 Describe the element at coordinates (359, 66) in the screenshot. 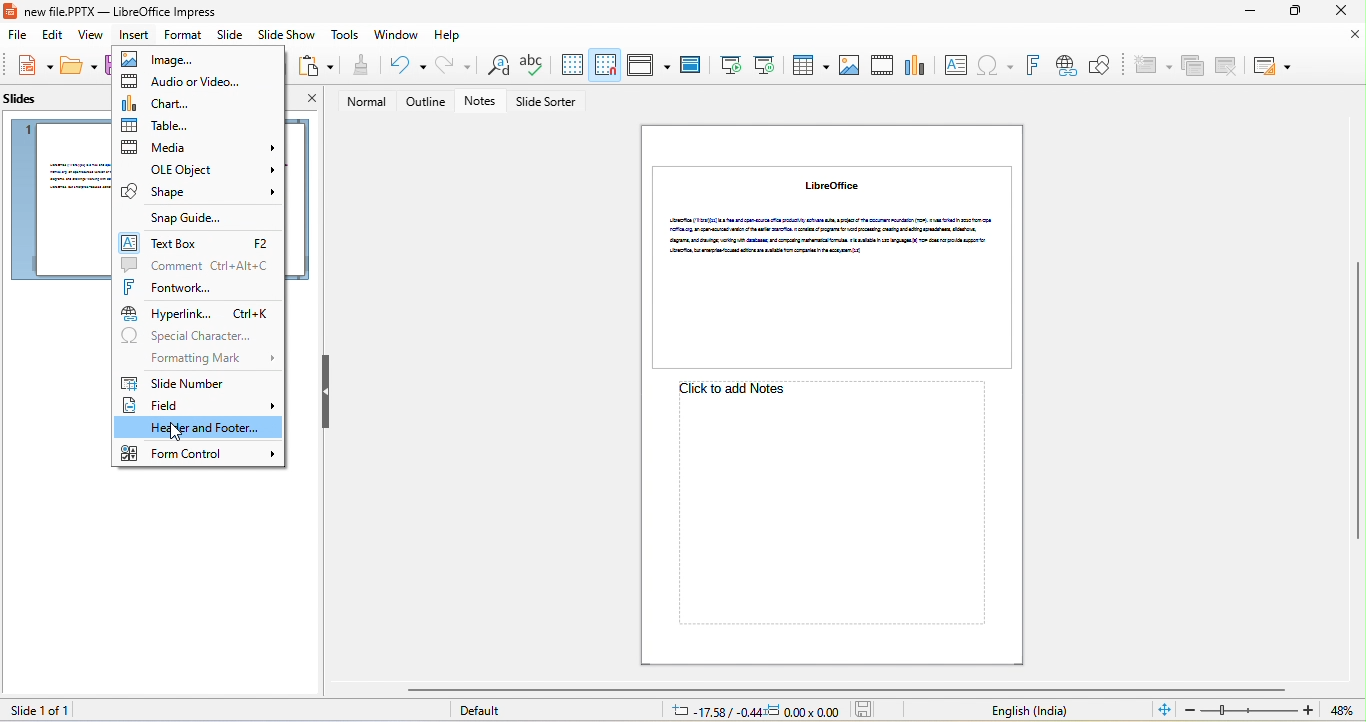

I see `clone formatting` at that location.